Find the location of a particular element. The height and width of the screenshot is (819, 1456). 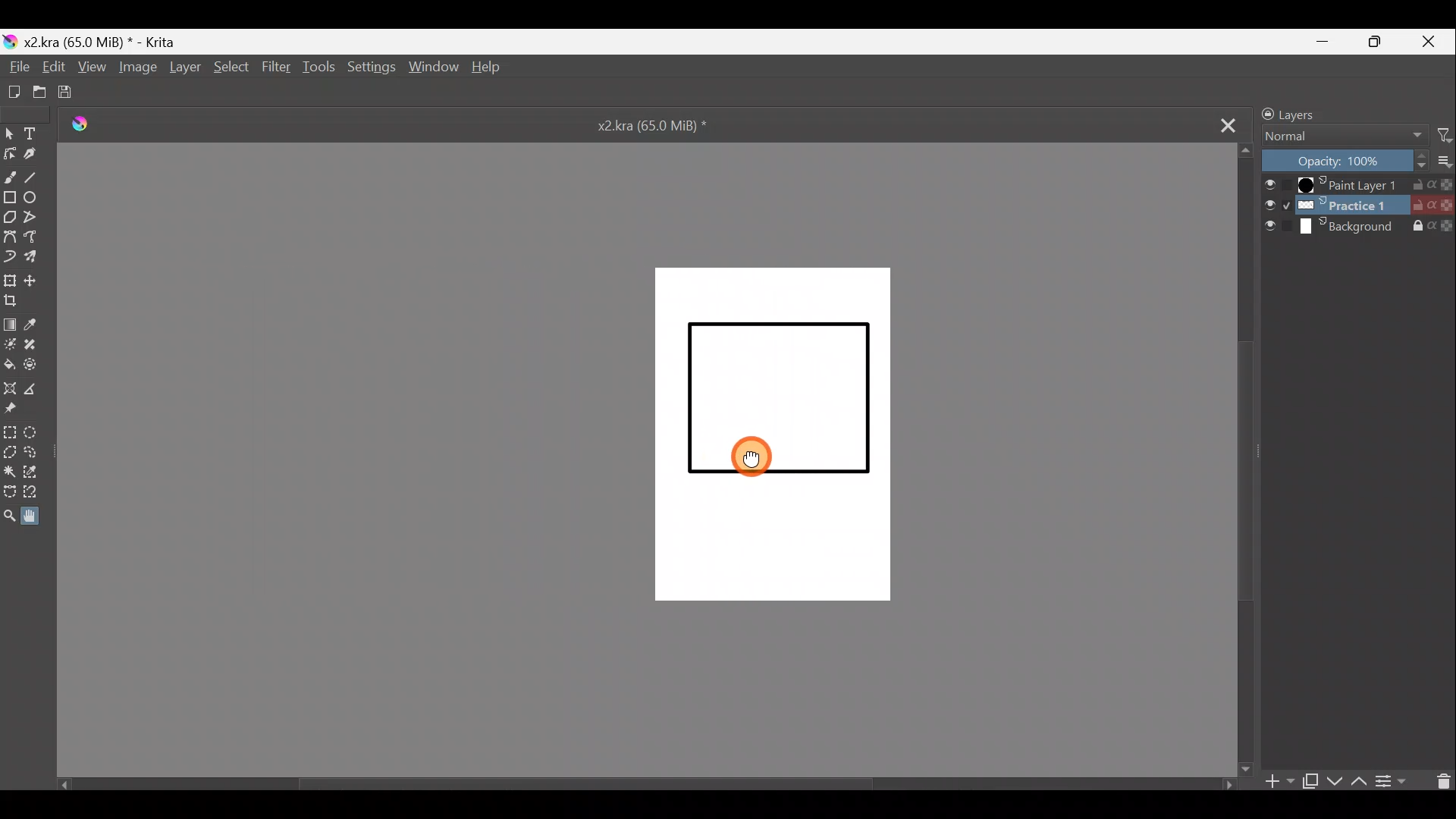

Layer is located at coordinates (184, 71).